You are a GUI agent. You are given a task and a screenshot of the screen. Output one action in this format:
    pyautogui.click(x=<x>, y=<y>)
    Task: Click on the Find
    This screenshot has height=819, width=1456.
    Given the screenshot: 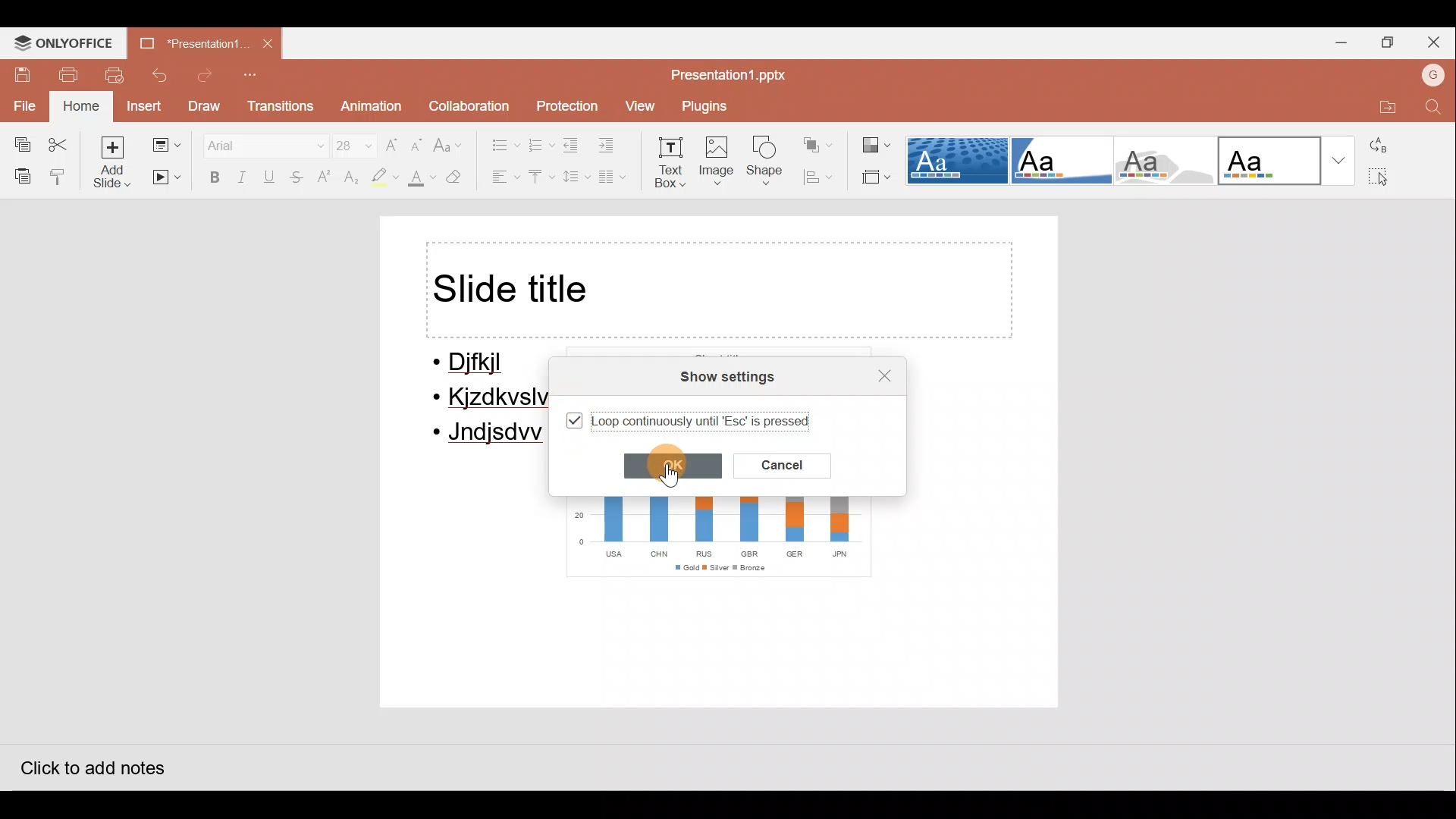 What is the action you would take?
    pyautogui.click(x=1432, y=108)
    